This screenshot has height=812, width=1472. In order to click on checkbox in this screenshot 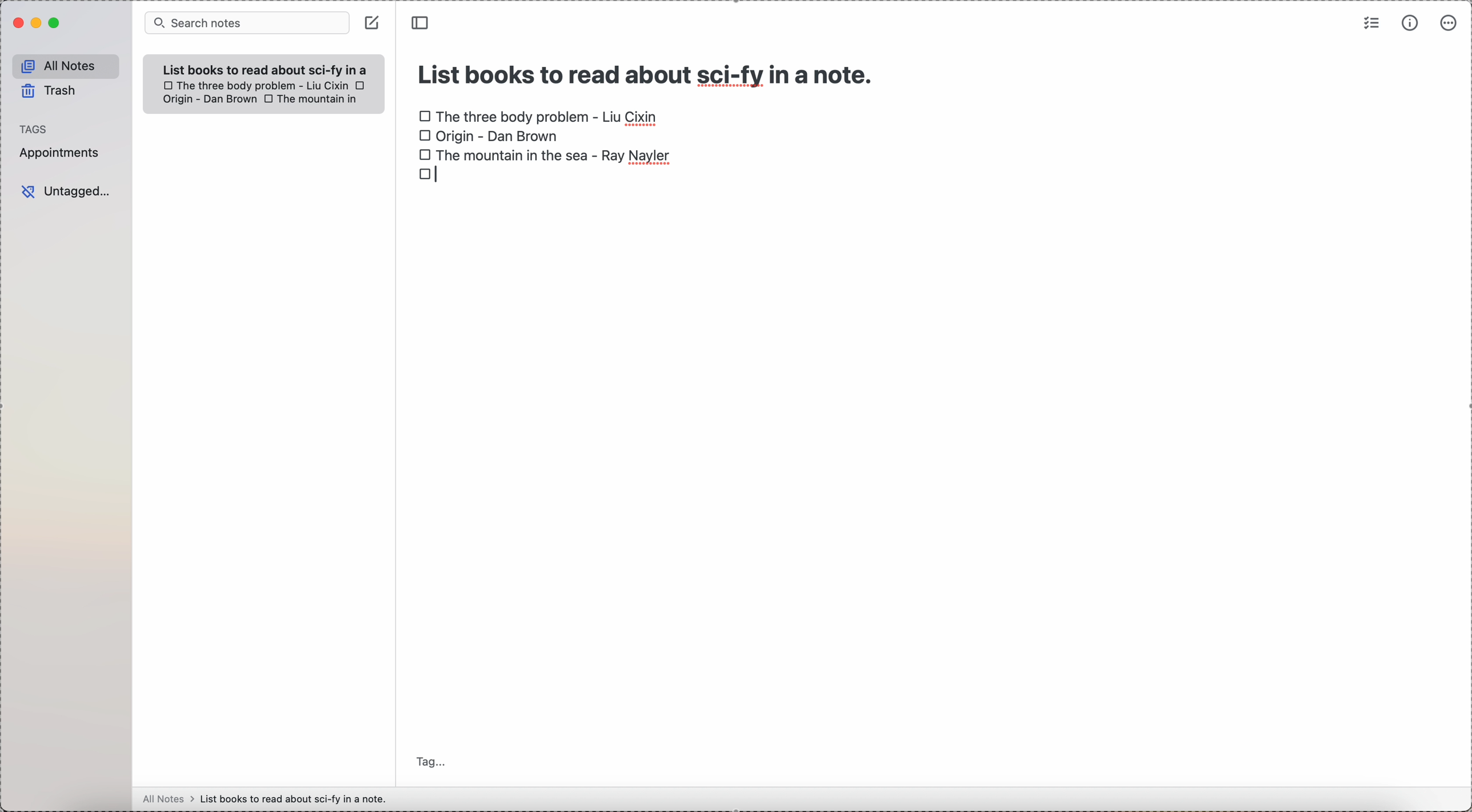, I will do `click(428, 174)`.